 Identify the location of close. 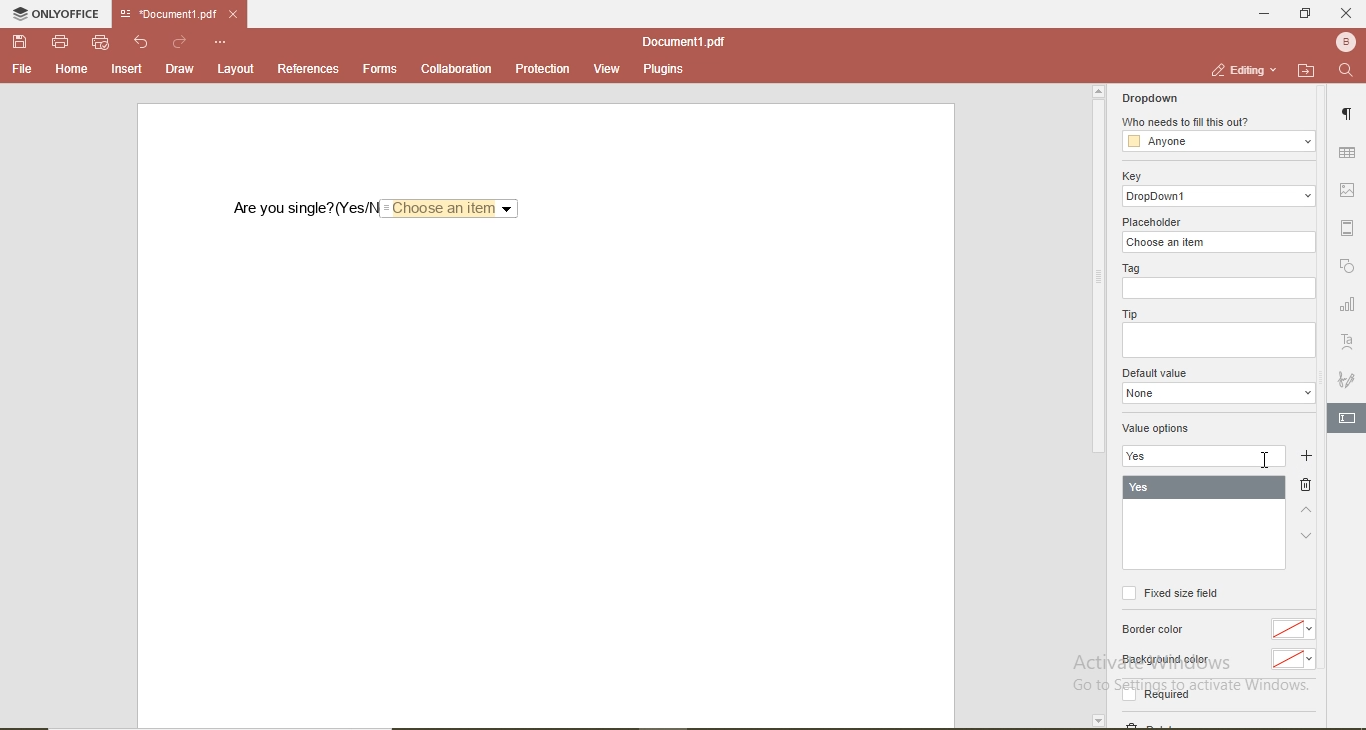
(1347, 14).